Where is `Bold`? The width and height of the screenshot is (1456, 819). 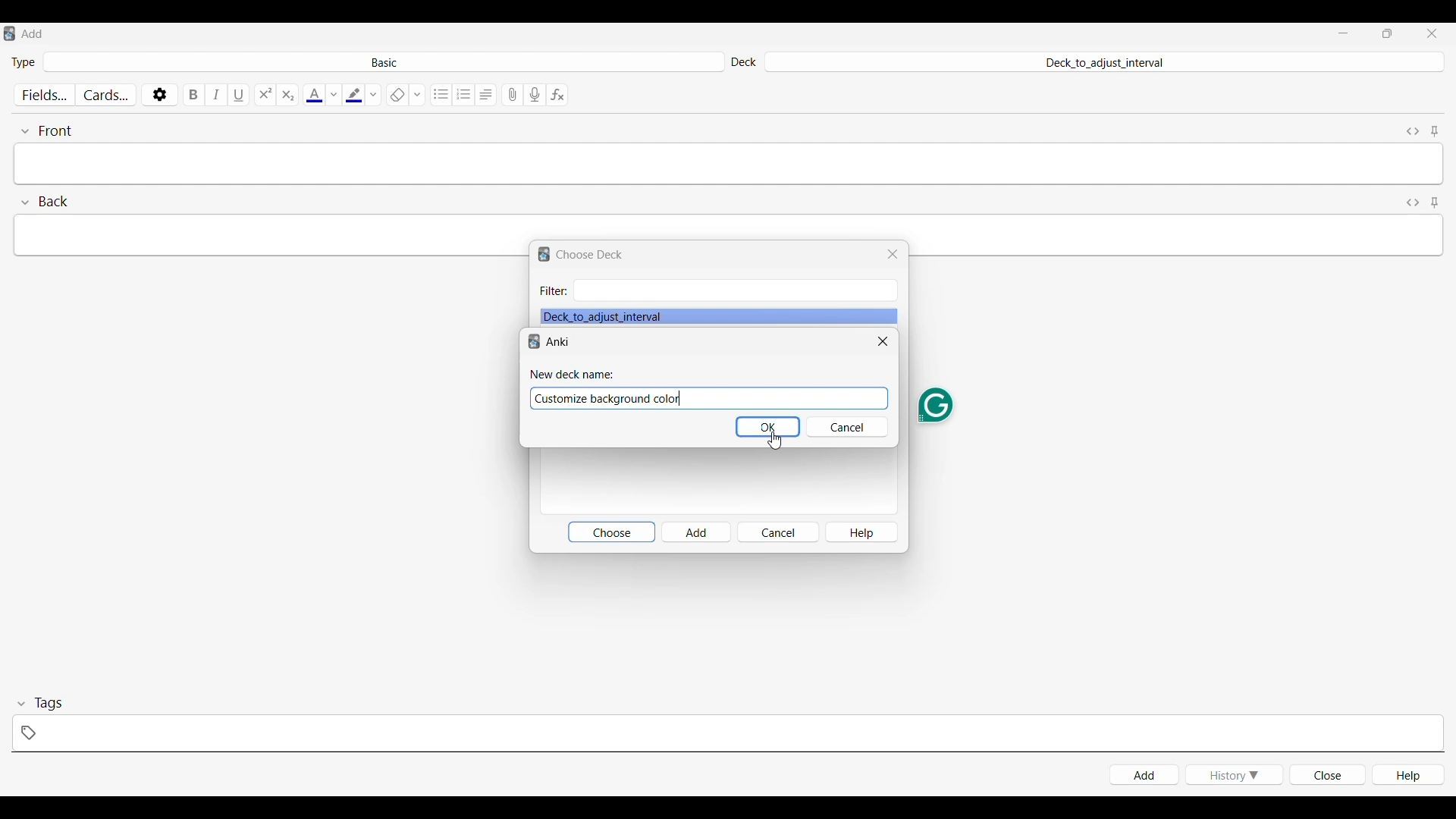
Bold is located at coordinates (194, 94).